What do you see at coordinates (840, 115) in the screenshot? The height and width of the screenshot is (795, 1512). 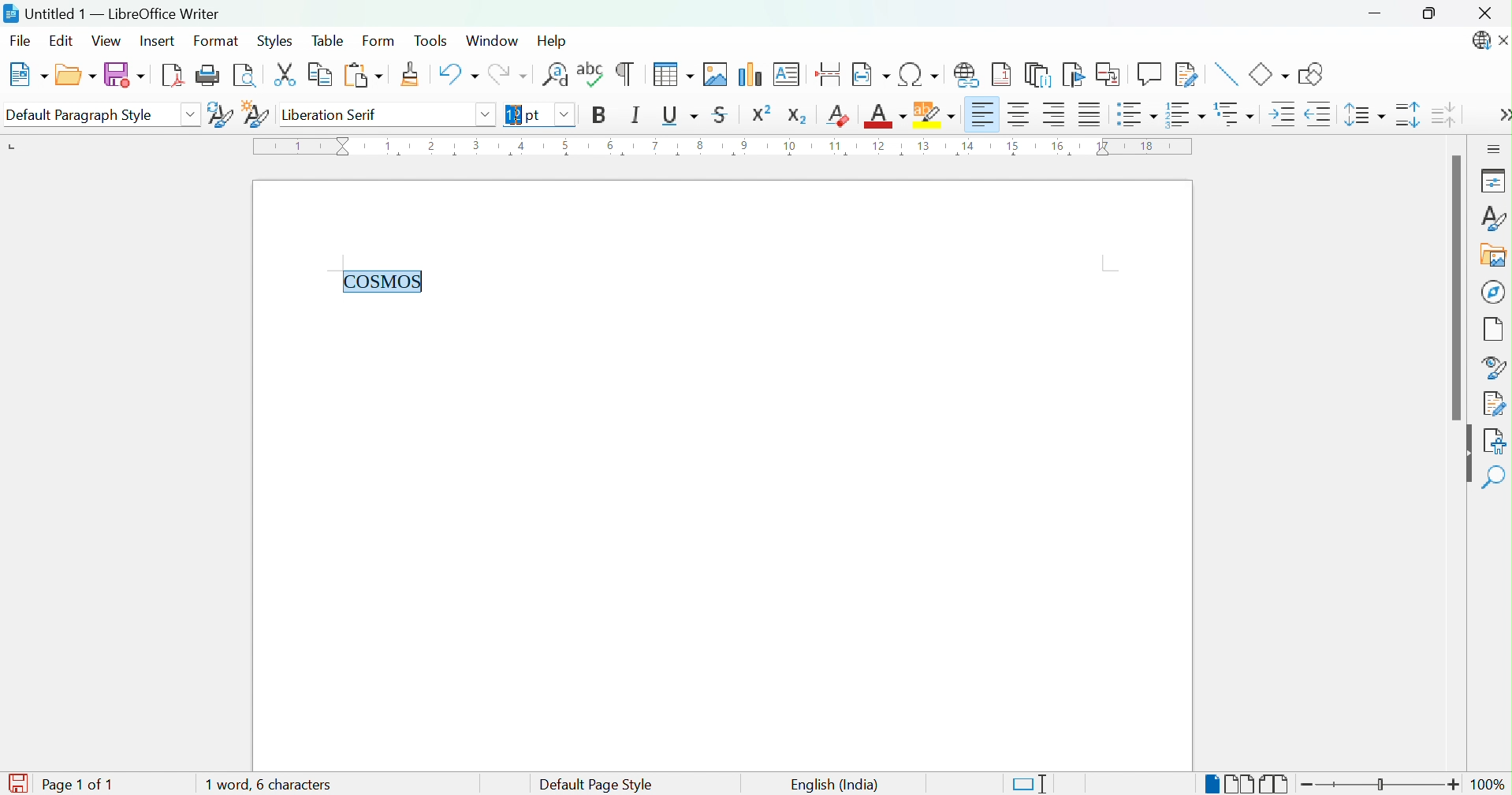 I see `Clear Direct Formatting` at bounding box center [840, 115].